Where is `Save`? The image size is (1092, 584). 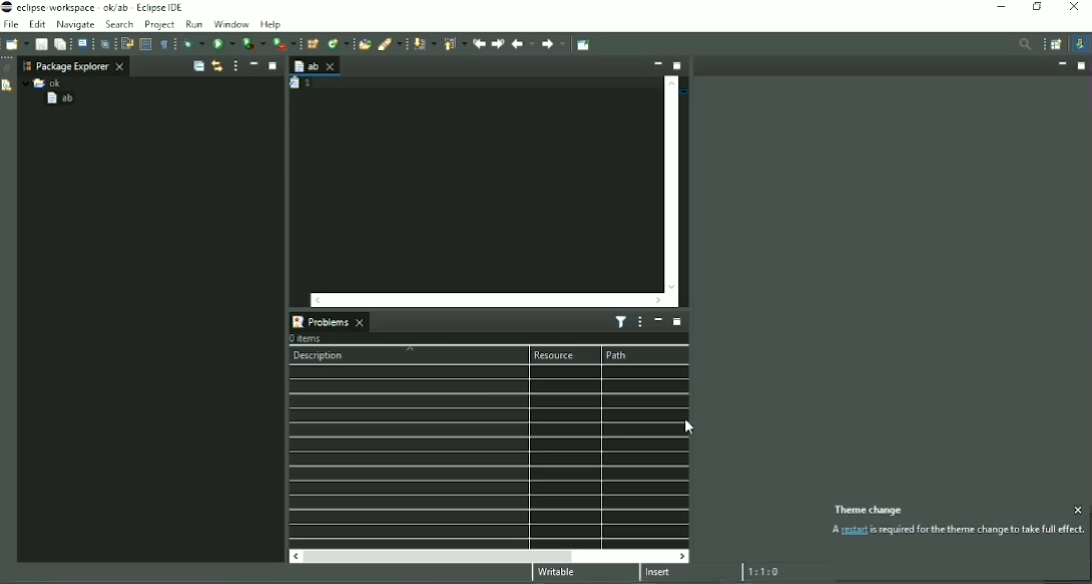 Save is located at coordinates (41, 44).